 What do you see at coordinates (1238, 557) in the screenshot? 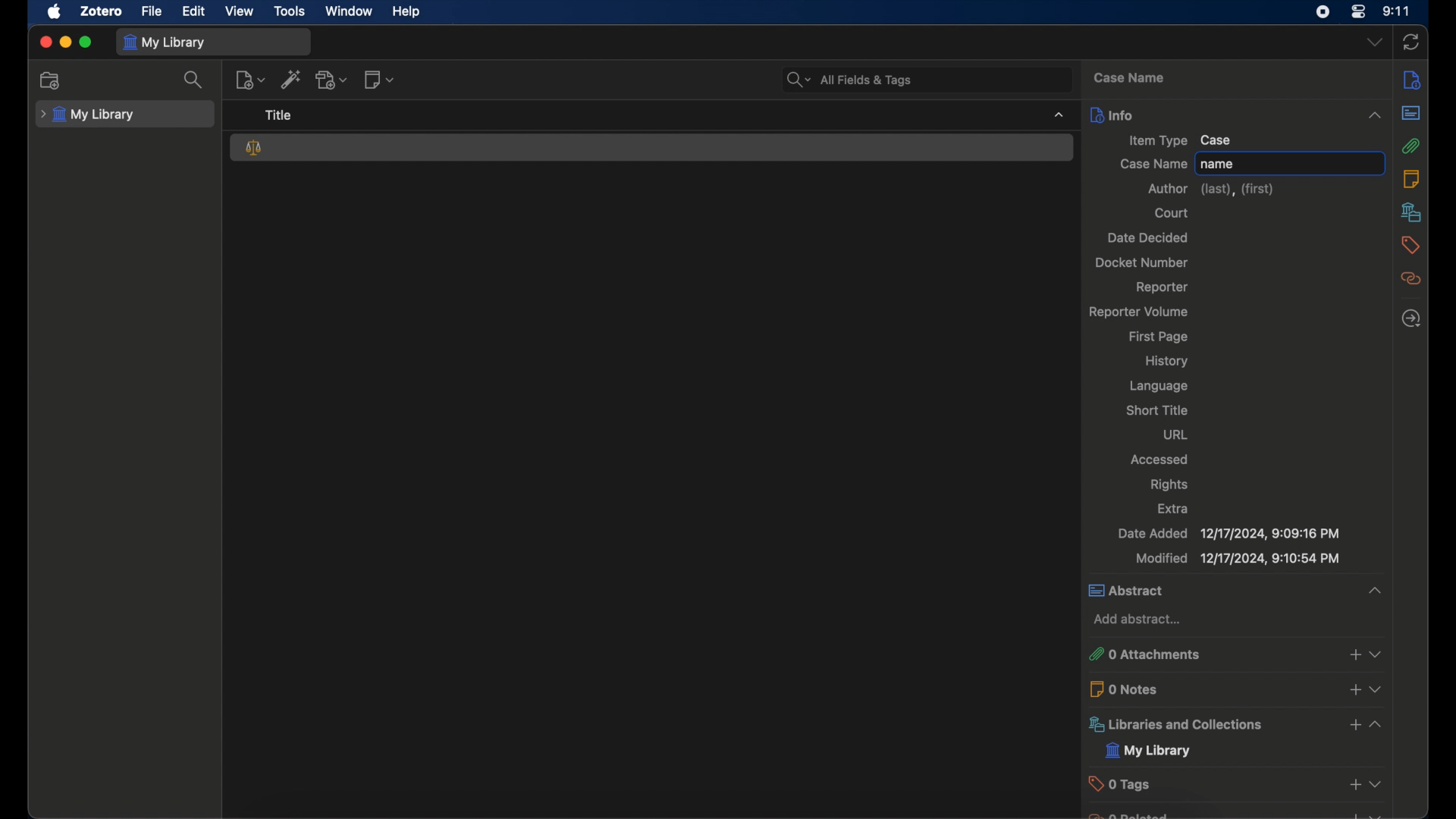
I see `modified` at bounding box center [1238, 557].